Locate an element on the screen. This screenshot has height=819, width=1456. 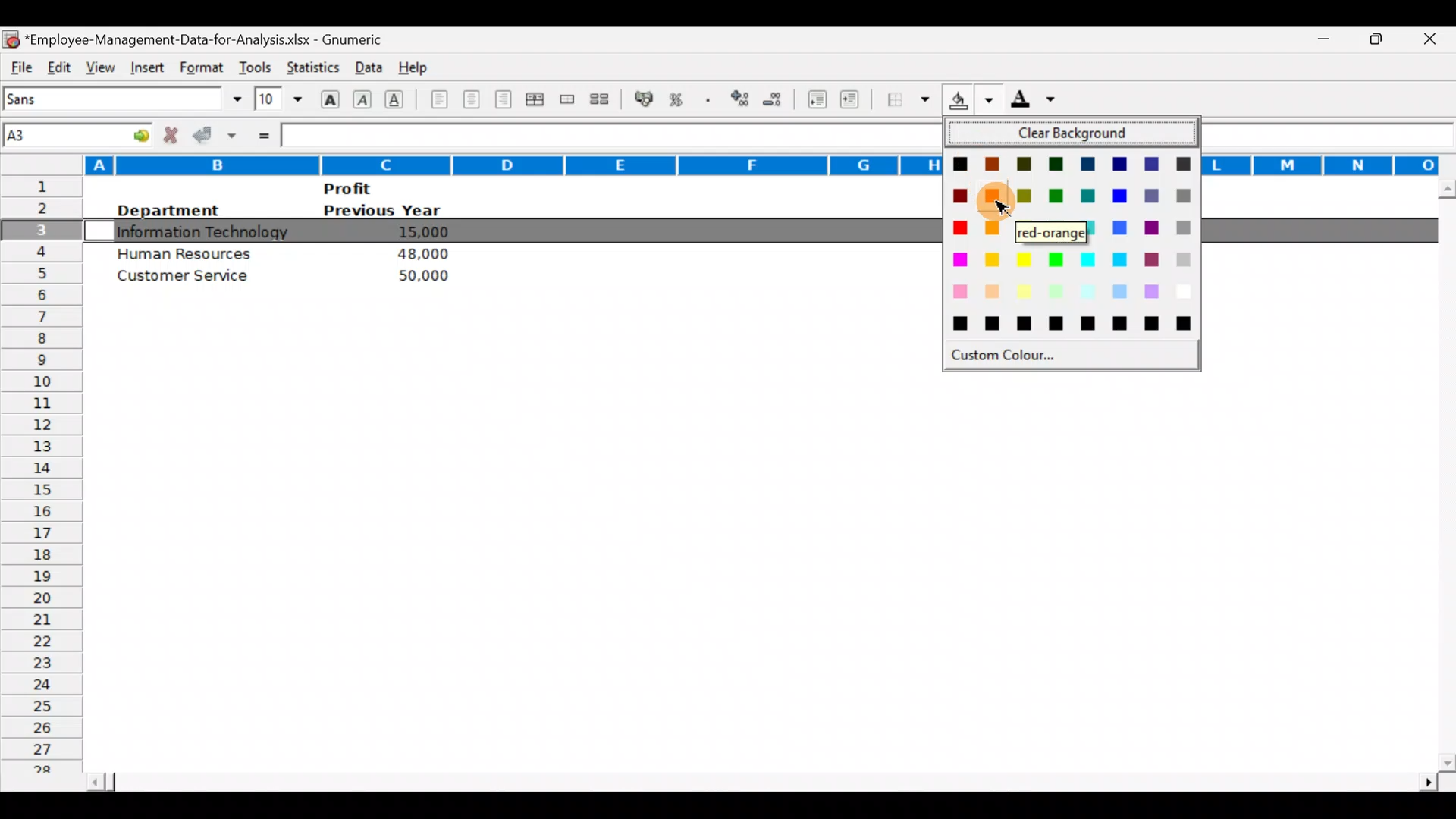
Previous year is located at coordinates (382, 211).